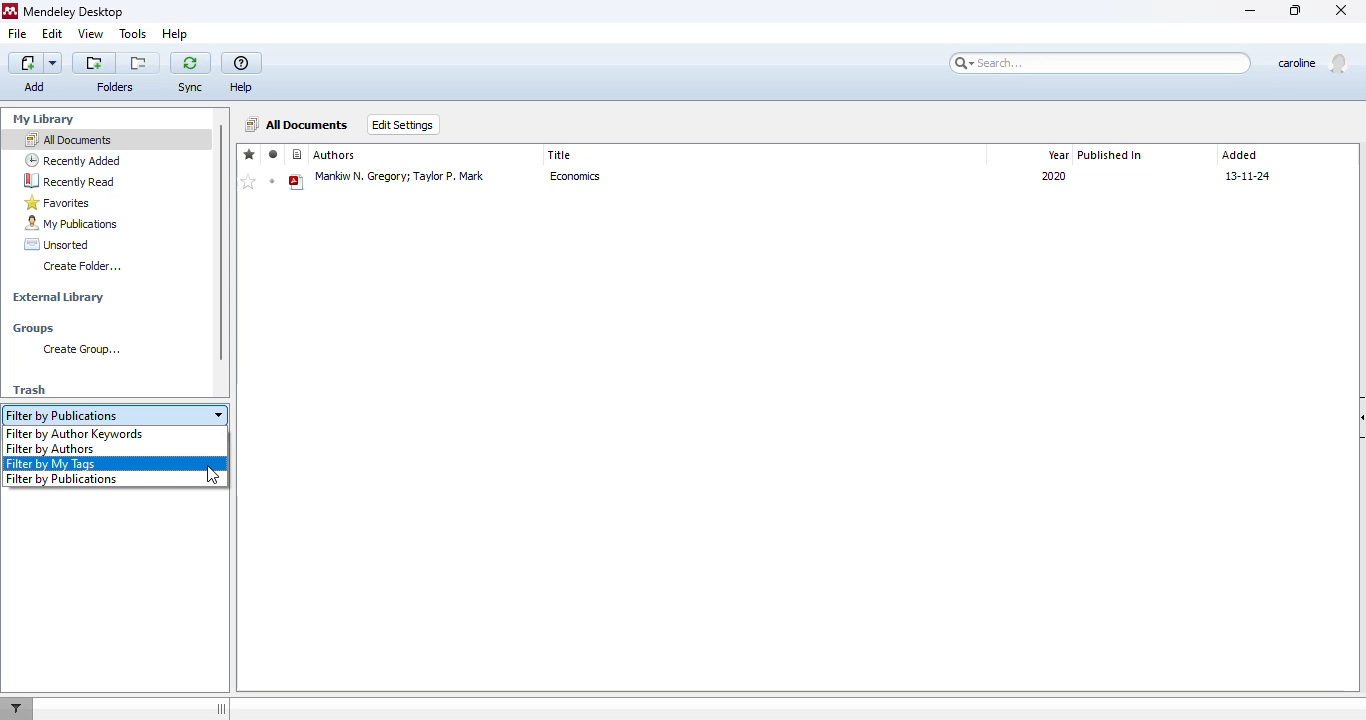 This screenshot has width=1366, height=720. What do you see at coordinates (1096, 63) in the screenshot?
I see `search` at bounding box center [1096, 63].